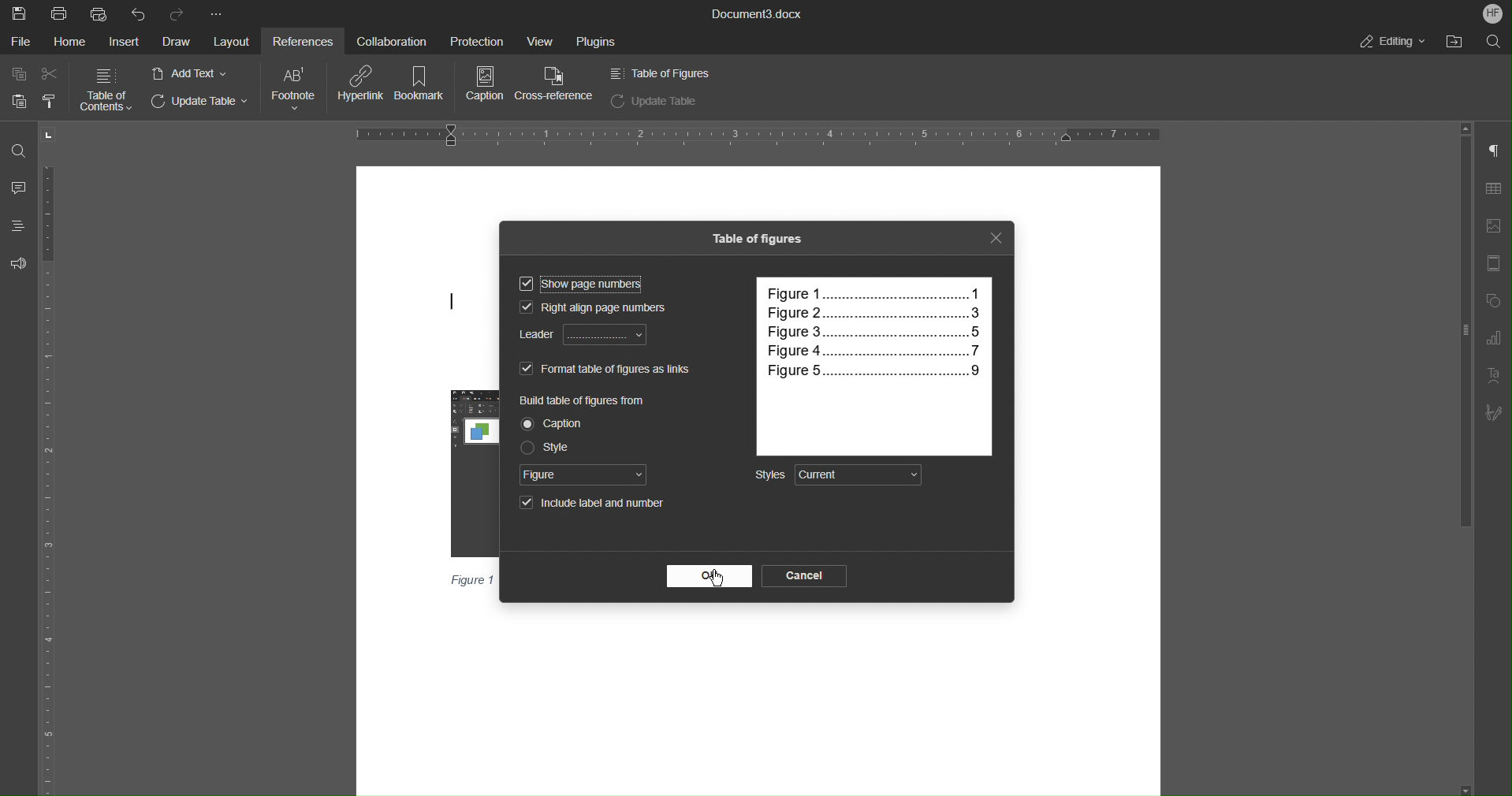 The height and width of the screenshot is (796, 1512). I want to click on Format table of figures as links, so click(605, 369).